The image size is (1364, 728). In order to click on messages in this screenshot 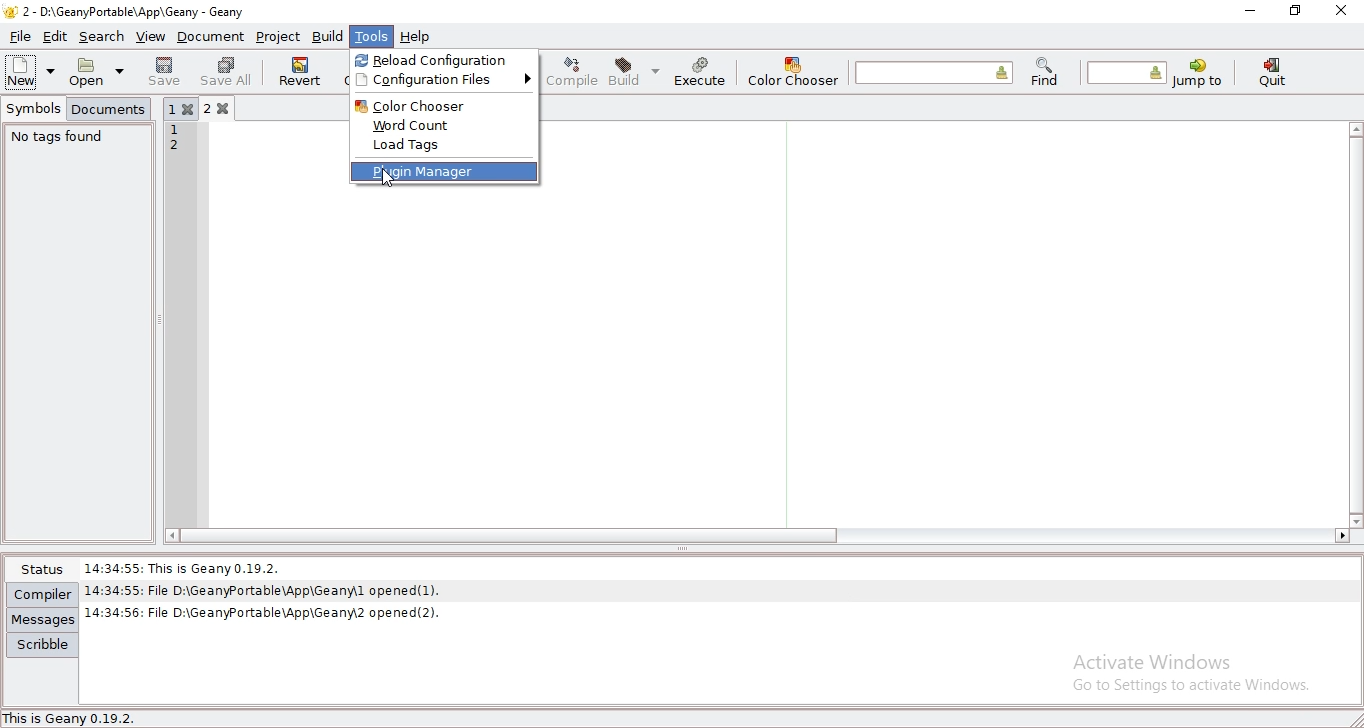, I will do `click(43, 619)`.